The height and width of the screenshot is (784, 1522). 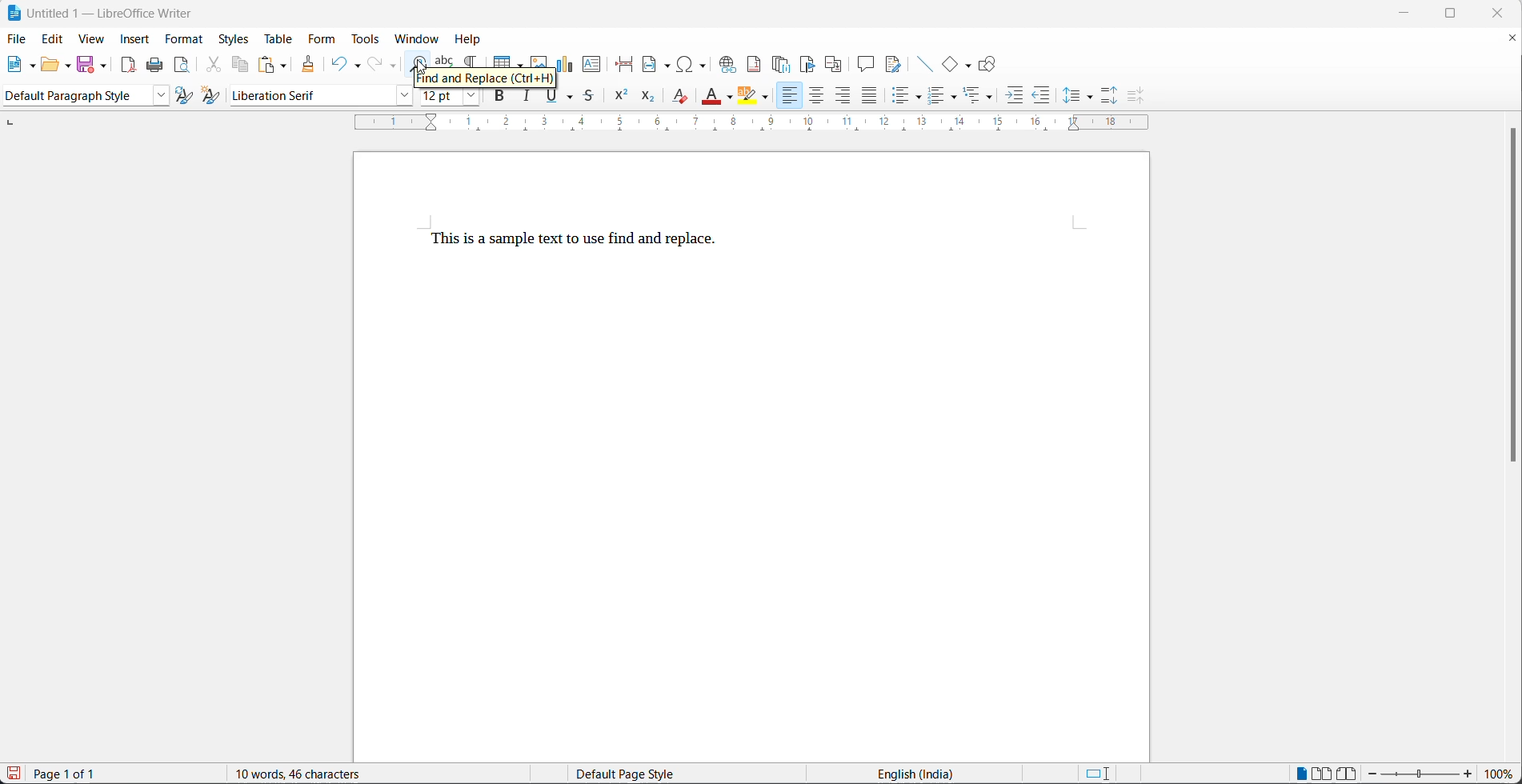 What do you see at coordinates (763, 124) in the screenshot?
I see `scaling` at bounding box center [763, 124].